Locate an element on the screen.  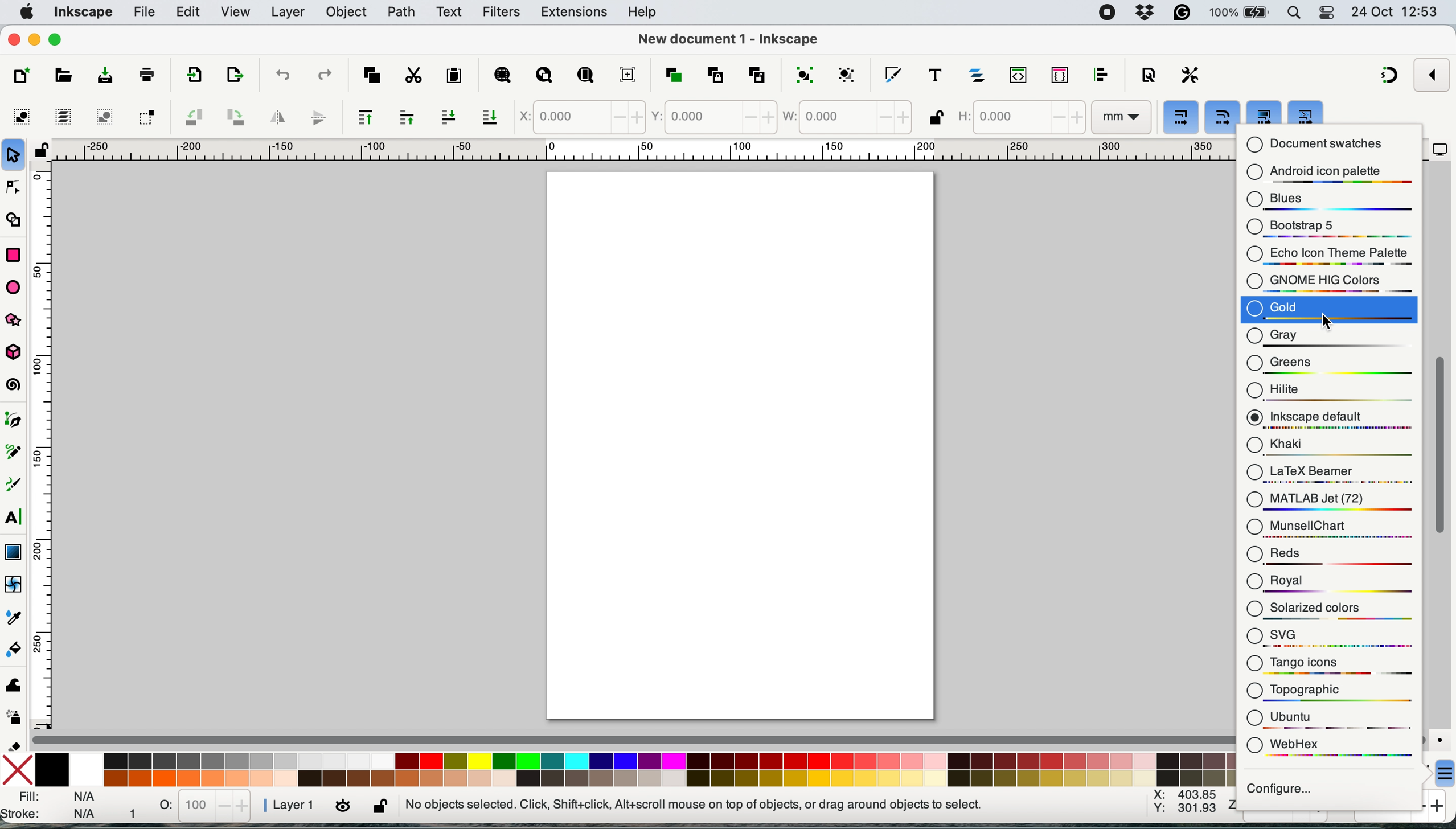
svg is located at coordinates (1329, 638).